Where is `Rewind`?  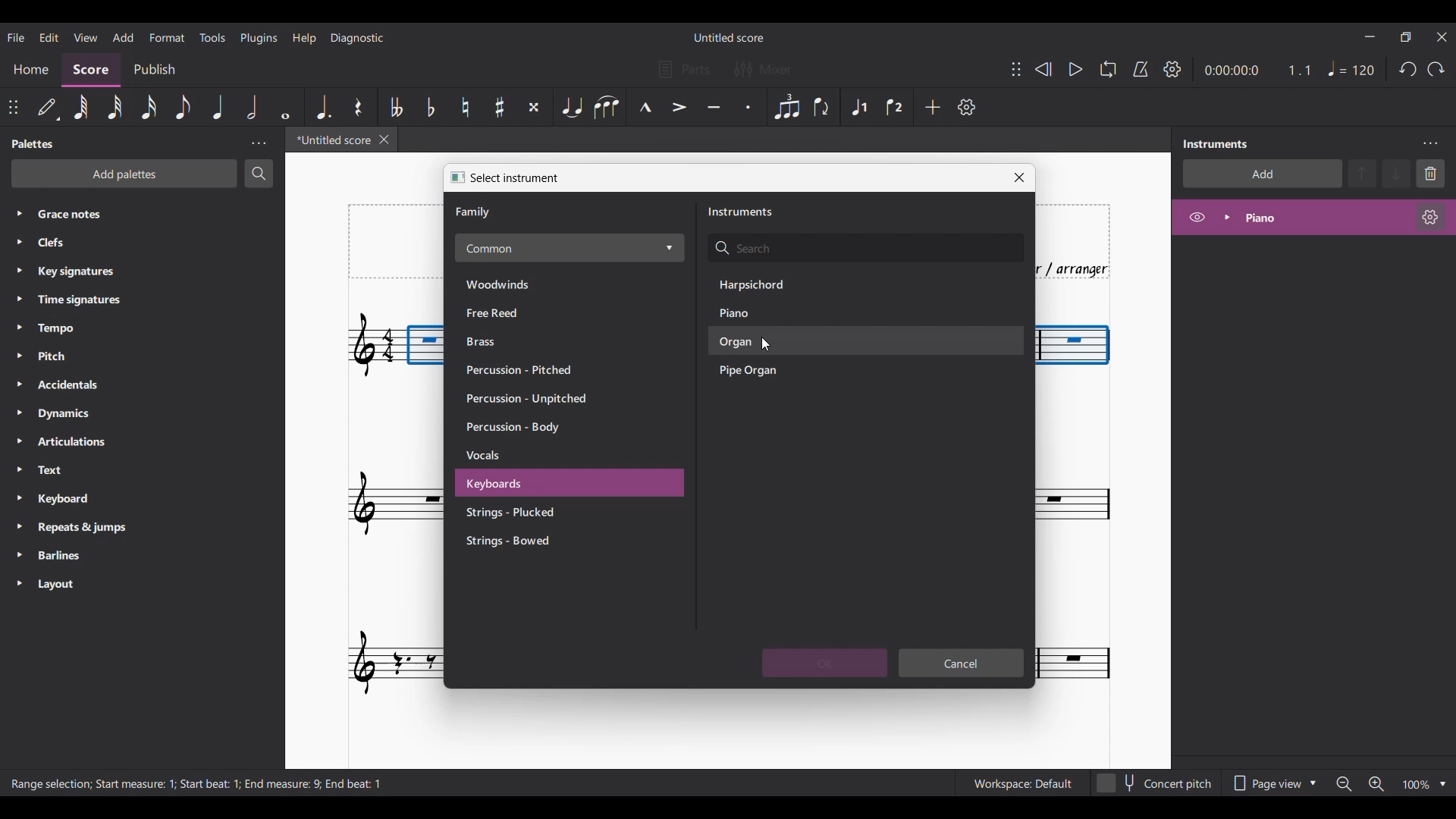 Rewind is located at coordinates (1043, 69).